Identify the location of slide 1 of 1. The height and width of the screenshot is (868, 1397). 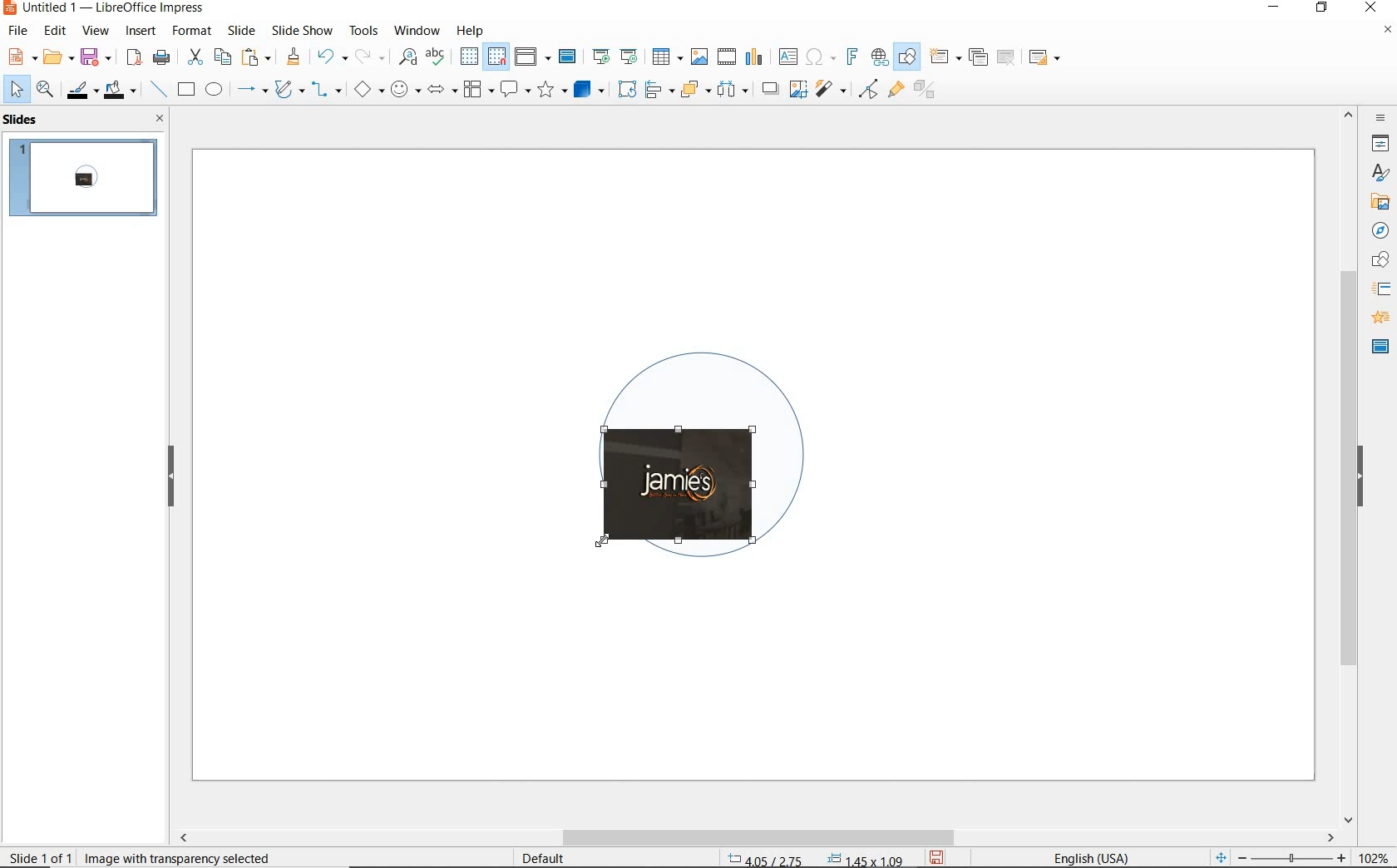
(42, 854).